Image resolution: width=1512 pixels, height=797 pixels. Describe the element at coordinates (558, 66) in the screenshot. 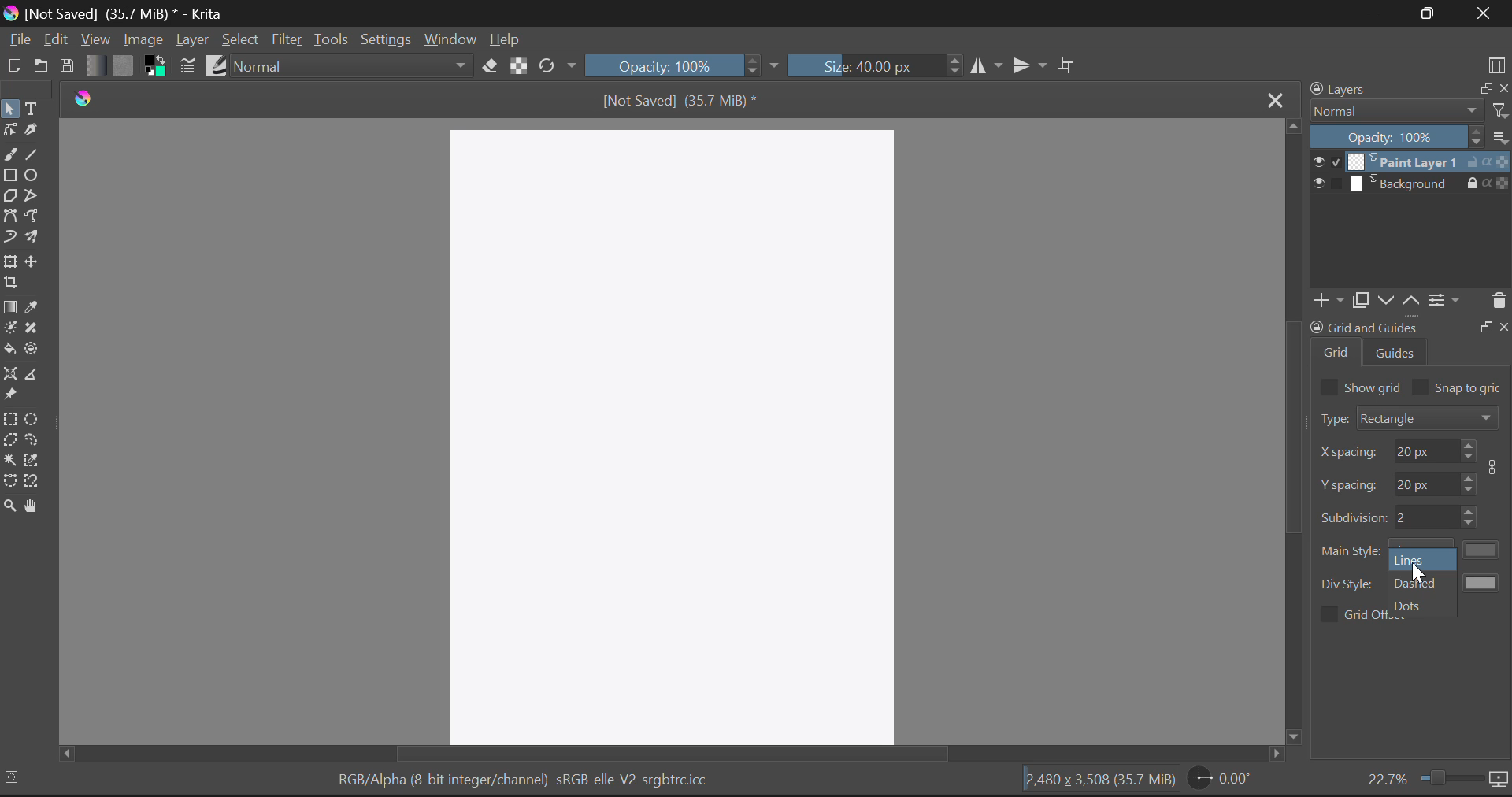

I see `Rotate` at that location.